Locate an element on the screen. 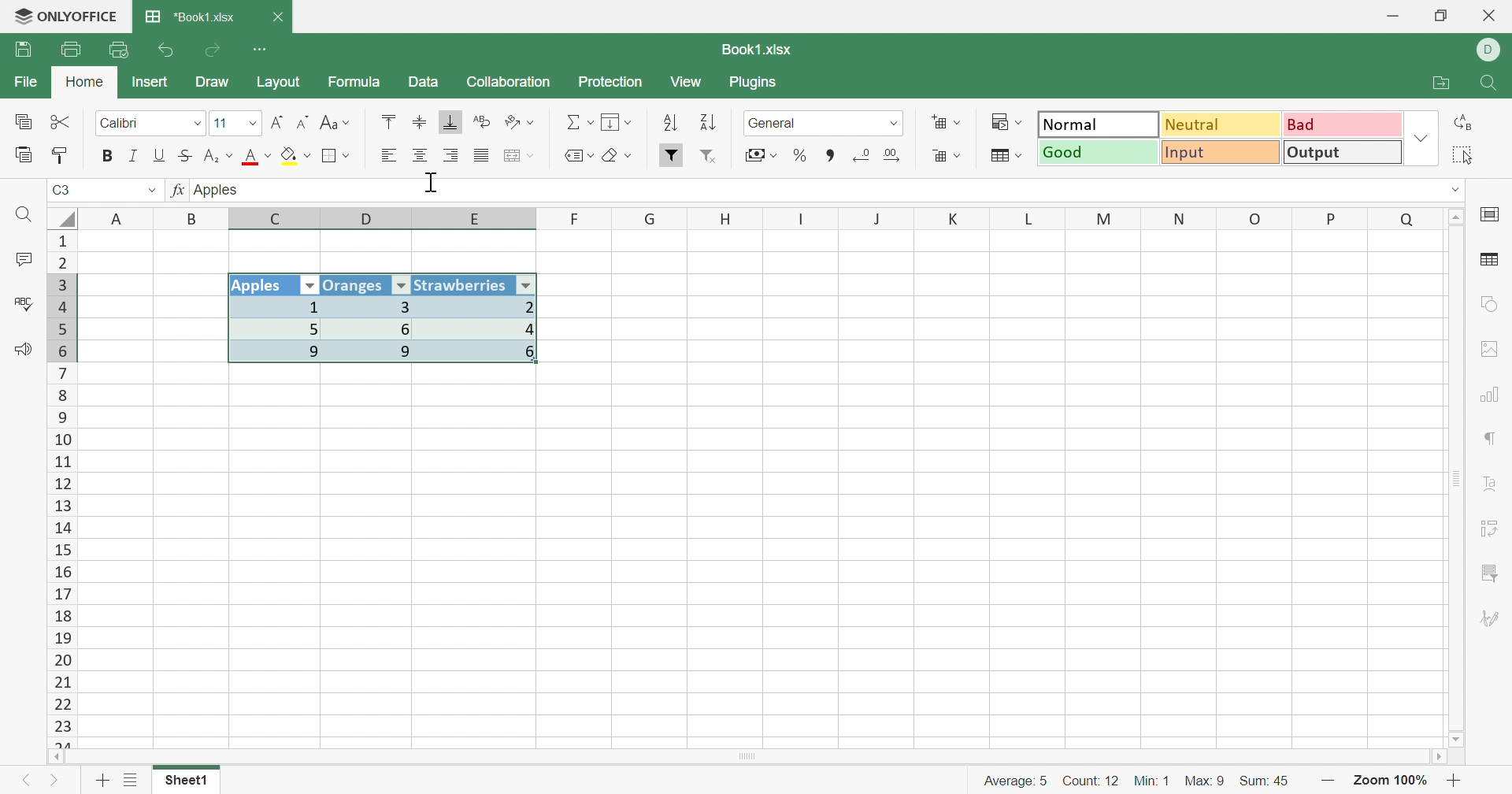  Justified is located at coordinates (480, 156).